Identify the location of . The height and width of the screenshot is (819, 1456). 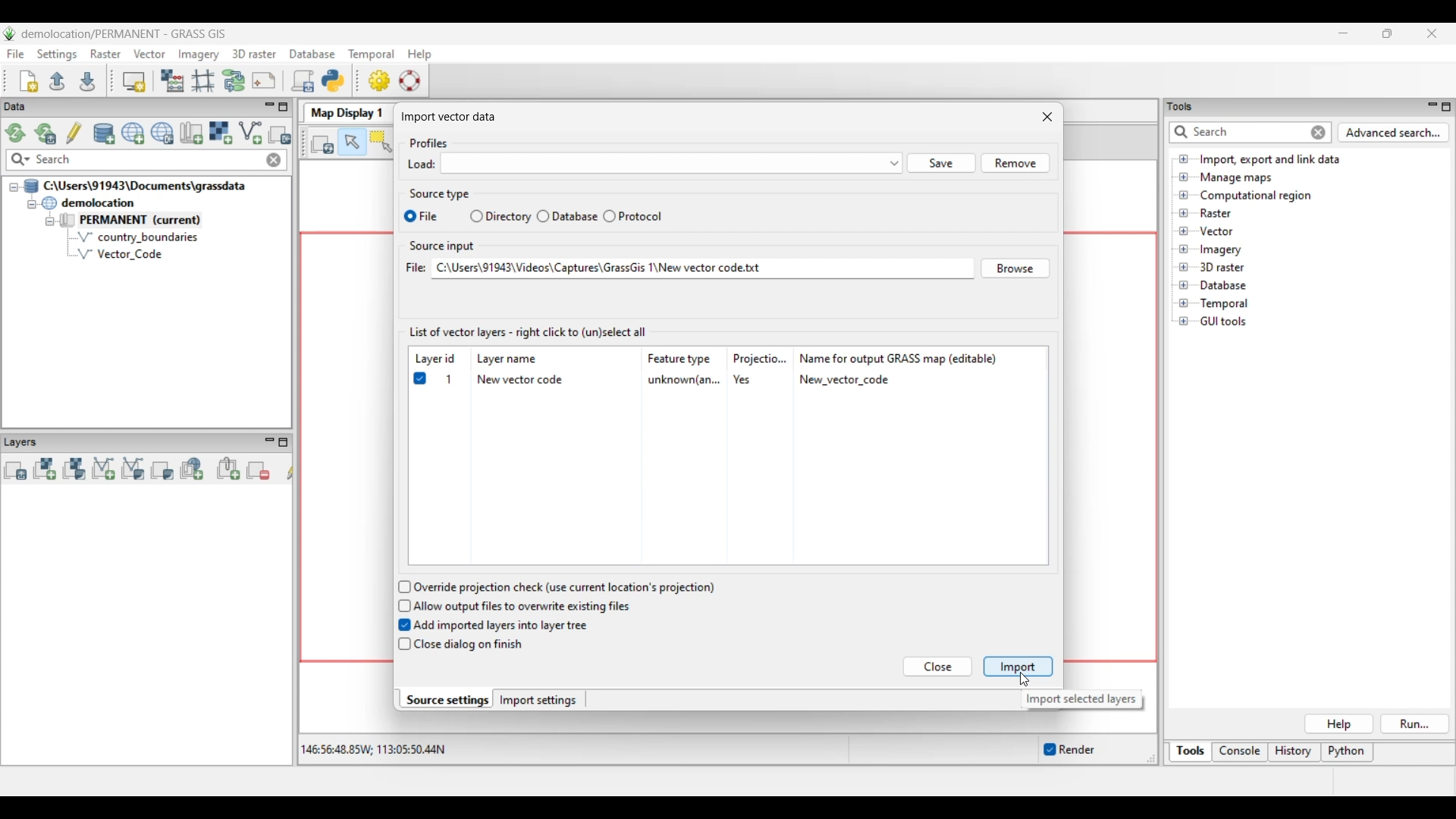
(1015, 165).